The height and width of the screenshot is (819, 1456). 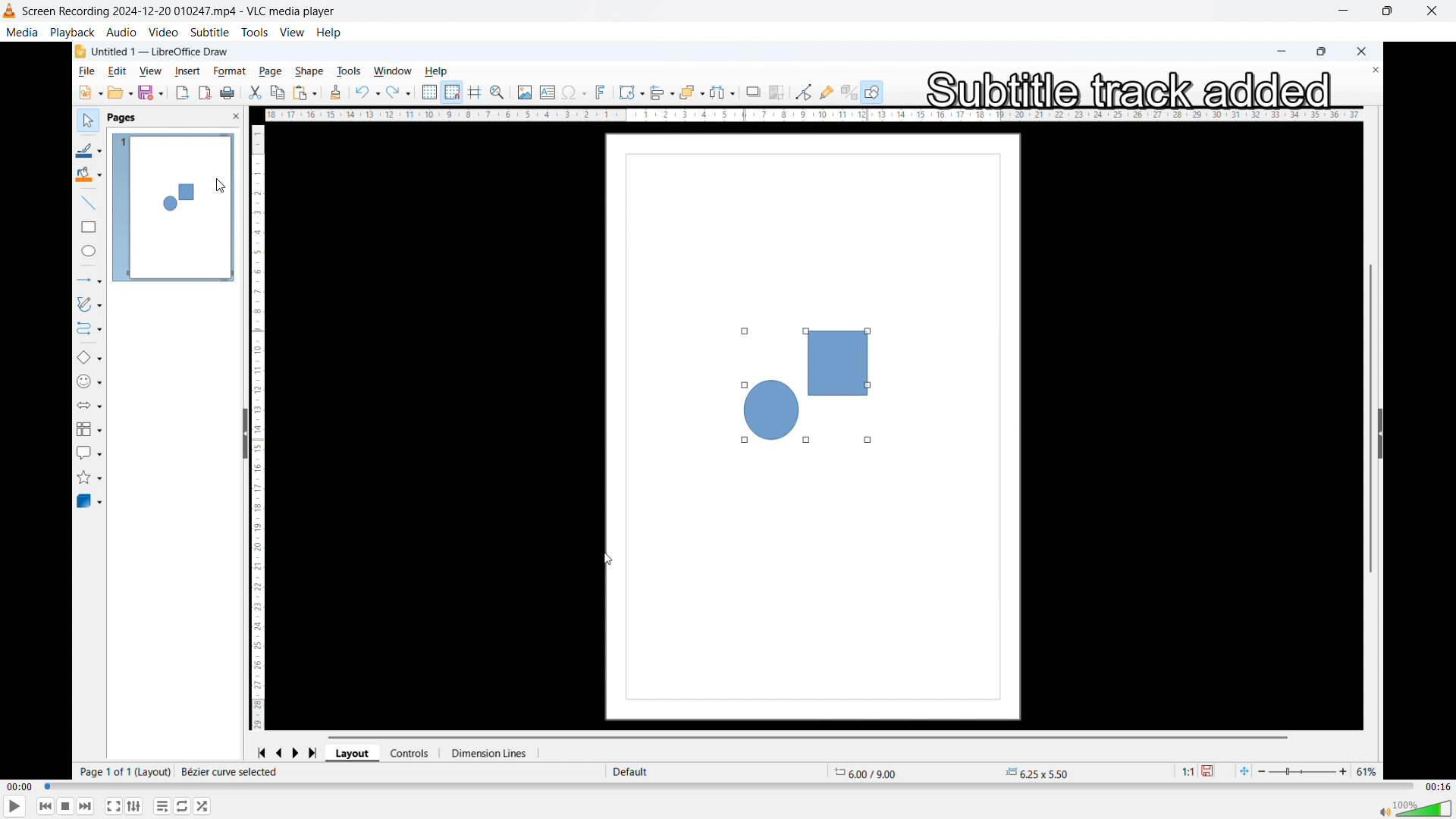 I want to click on maximize, so click(x=1321, y=52).